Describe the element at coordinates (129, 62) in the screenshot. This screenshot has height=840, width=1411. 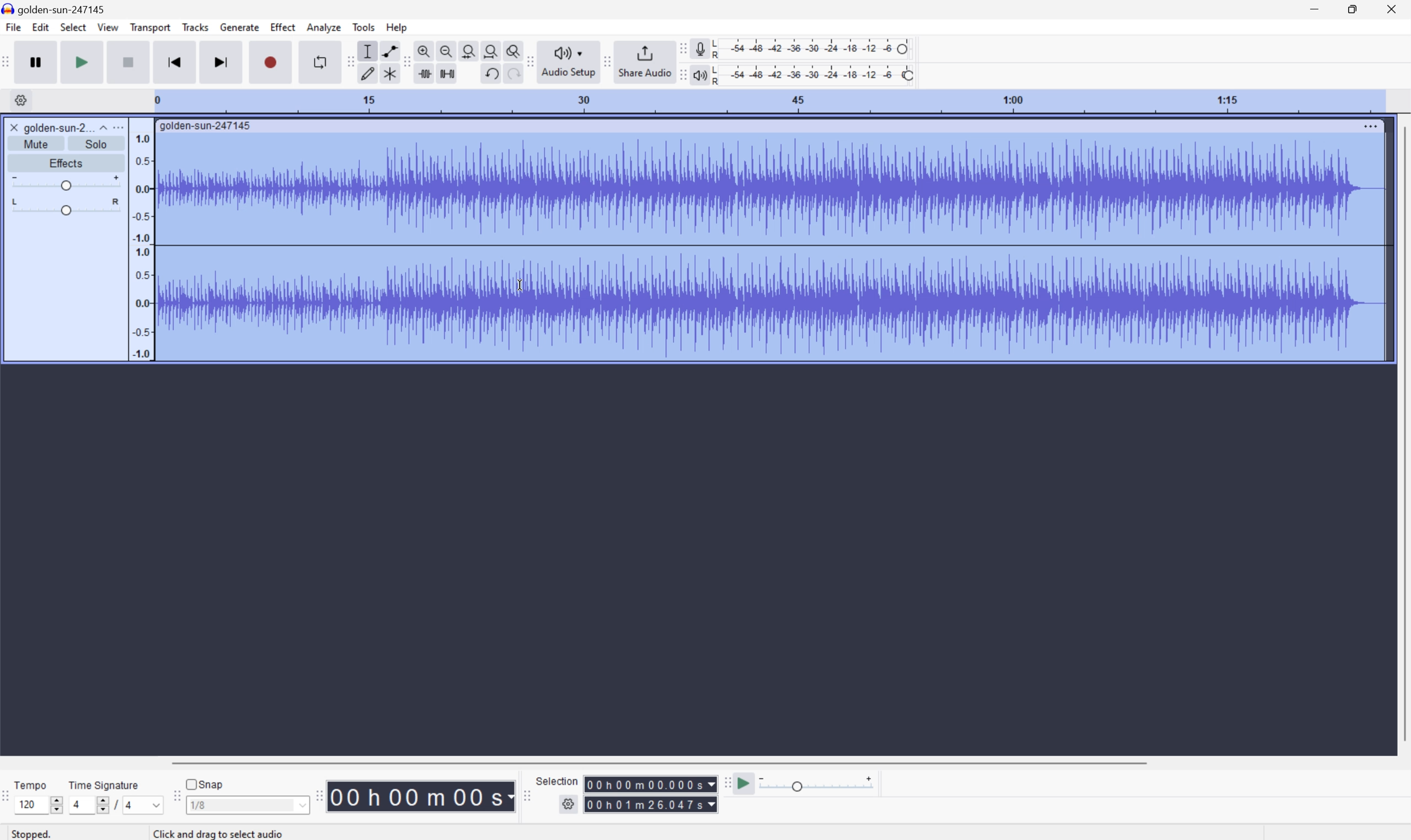
I see `Stop` at that location.